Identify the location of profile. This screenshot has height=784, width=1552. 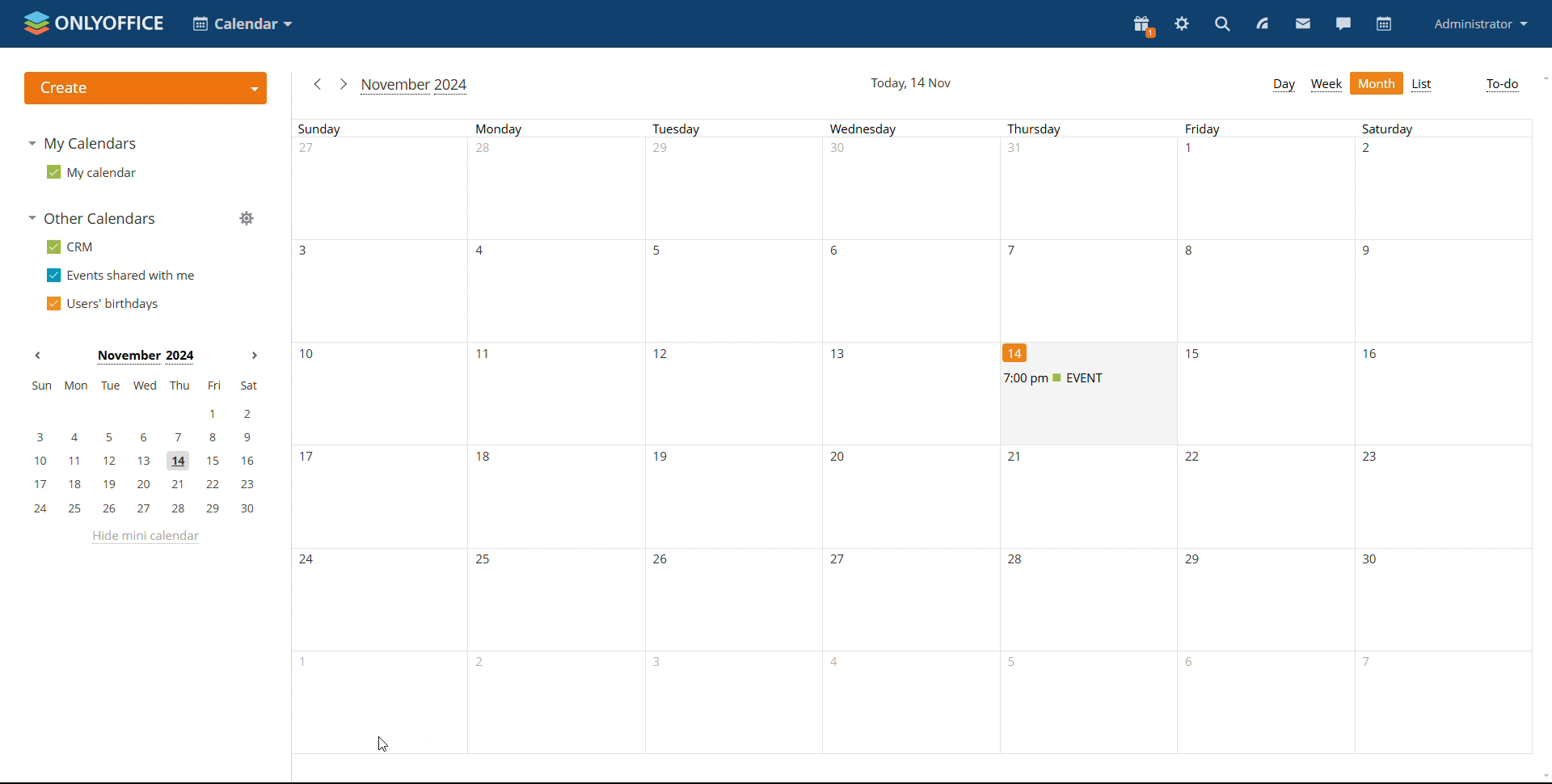
(1481, 23).